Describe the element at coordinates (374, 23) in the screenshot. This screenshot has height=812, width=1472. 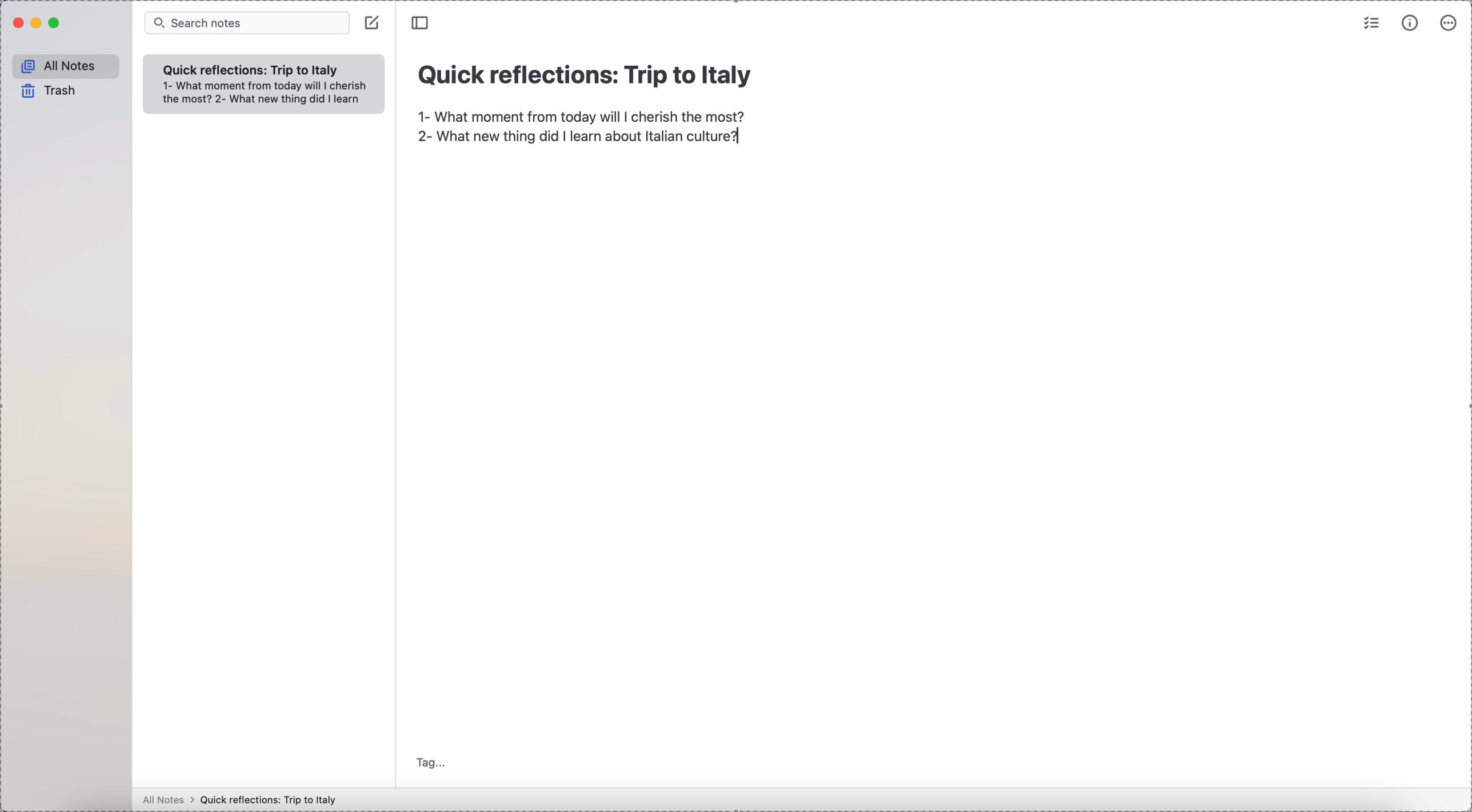
I see `click on create note` at that location.